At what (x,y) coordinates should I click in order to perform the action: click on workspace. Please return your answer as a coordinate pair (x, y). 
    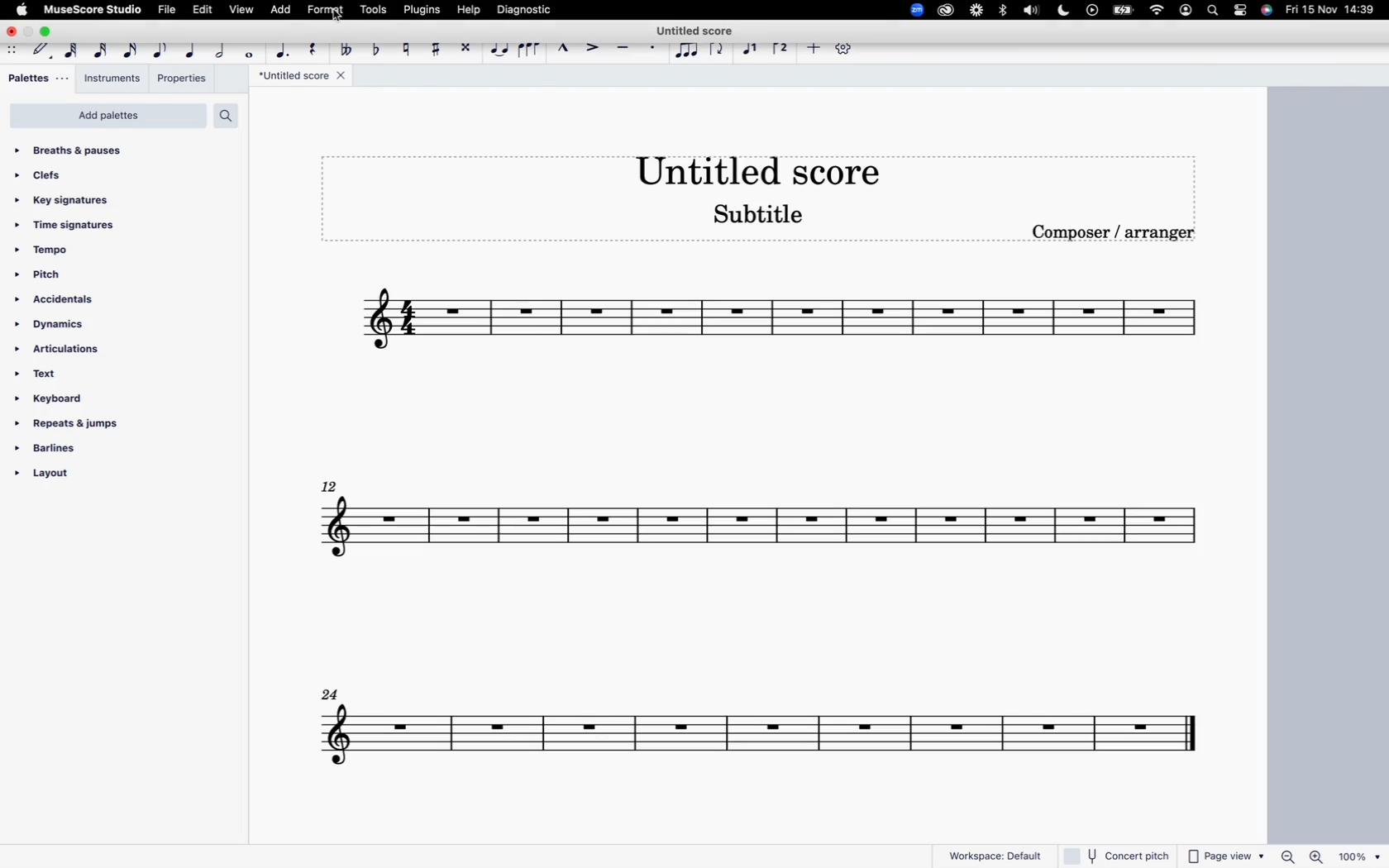
    Looking at the image, I should click on (999, 852).